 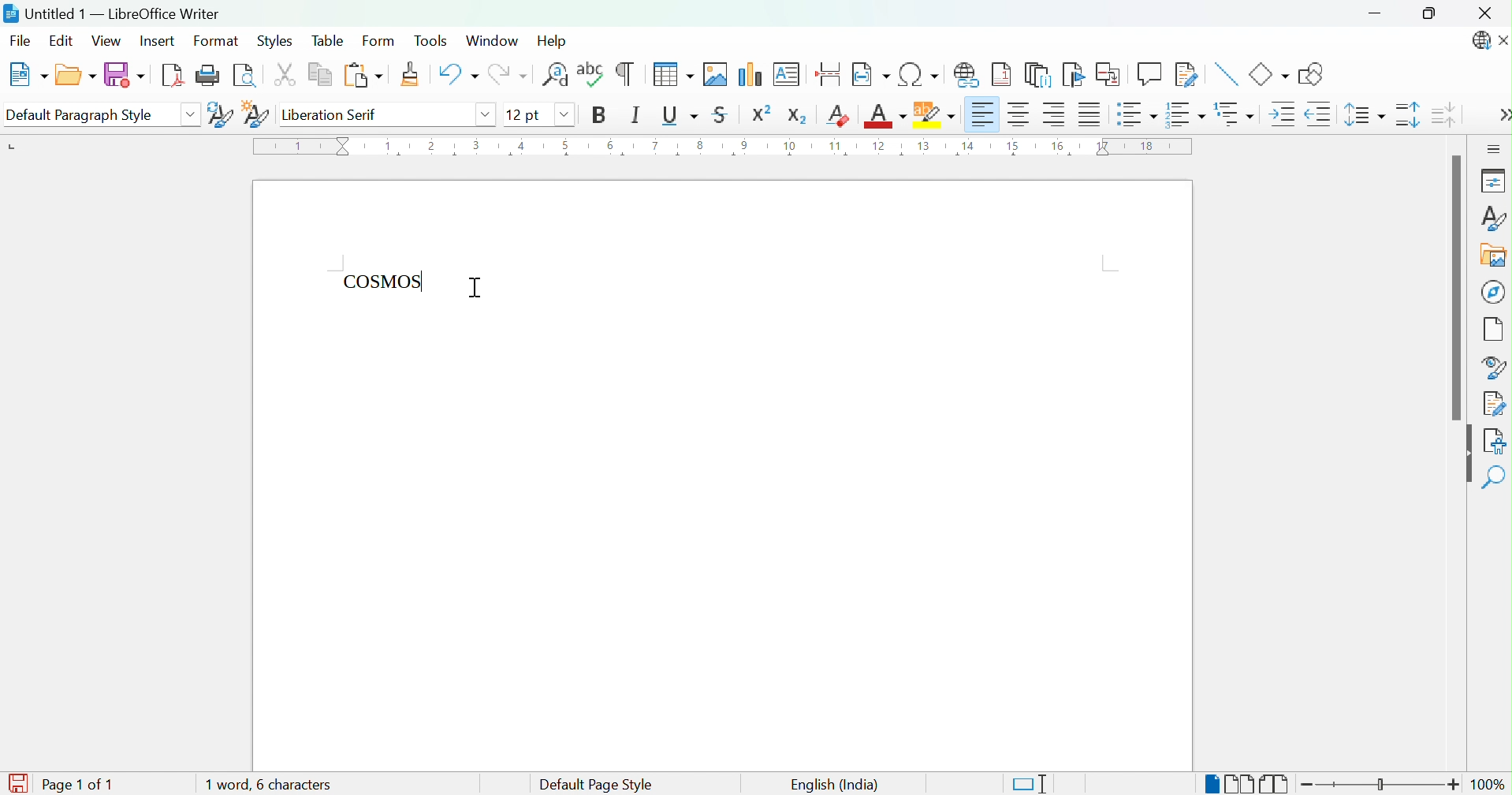 I want to click on Insert Endnote, so click(x=1037, y=74).